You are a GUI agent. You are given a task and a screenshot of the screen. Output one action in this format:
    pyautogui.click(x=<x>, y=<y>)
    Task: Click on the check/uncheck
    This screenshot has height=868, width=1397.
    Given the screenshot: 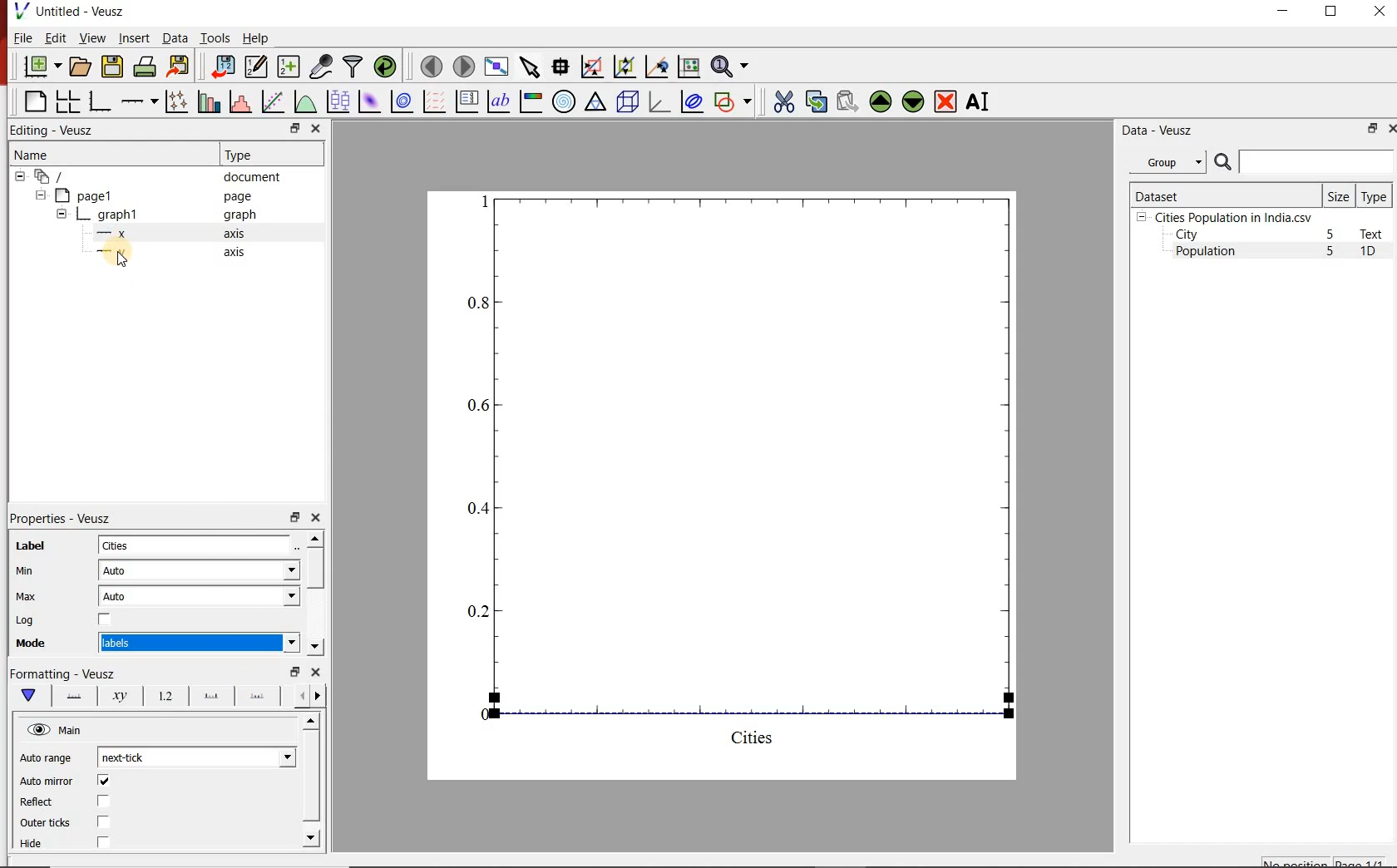 What is the action you would take?
    pyautogui.click(x=105, y=619)
    